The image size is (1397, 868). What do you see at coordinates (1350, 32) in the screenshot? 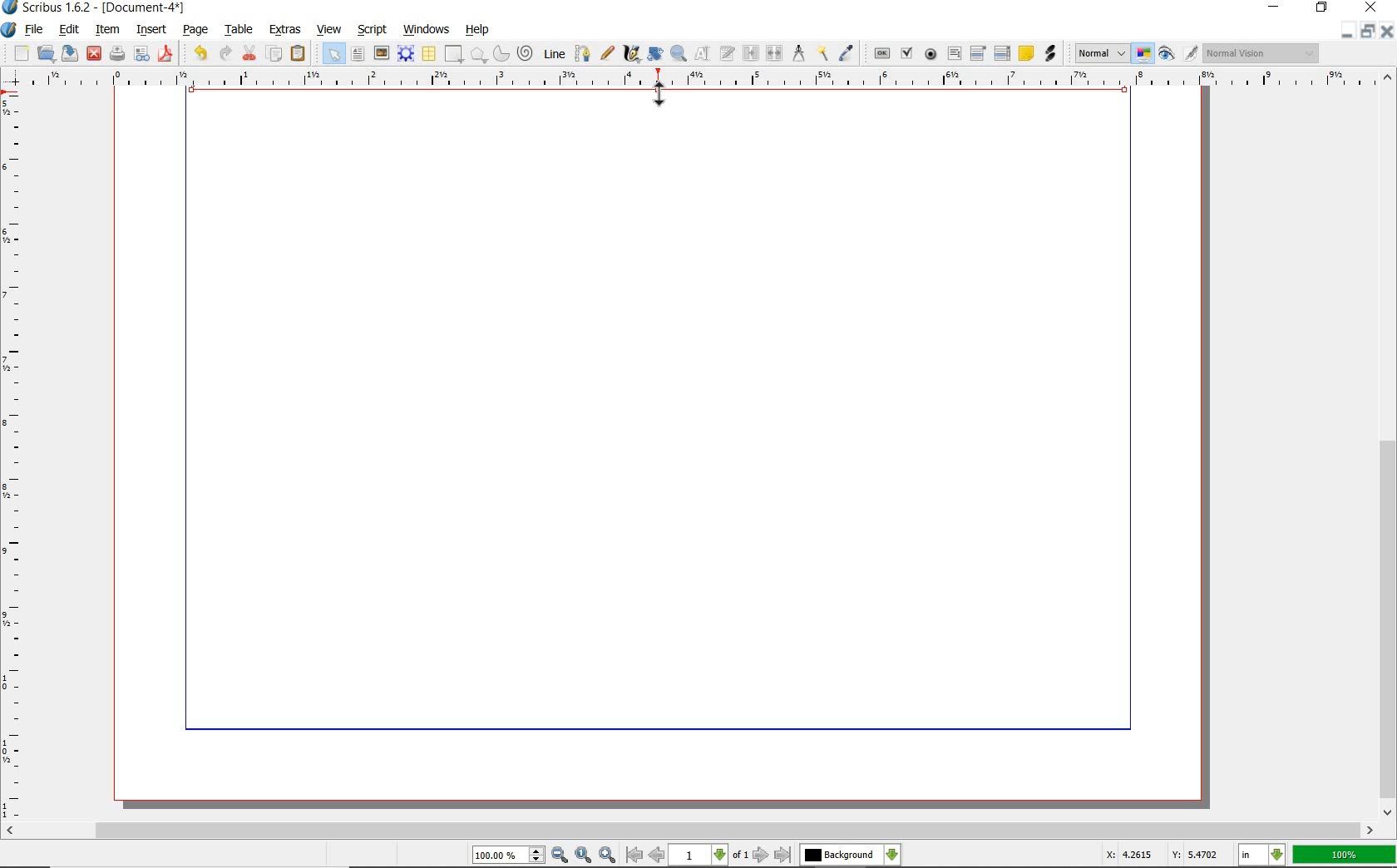
I see `minimize` at bounding box center [1350, 32].